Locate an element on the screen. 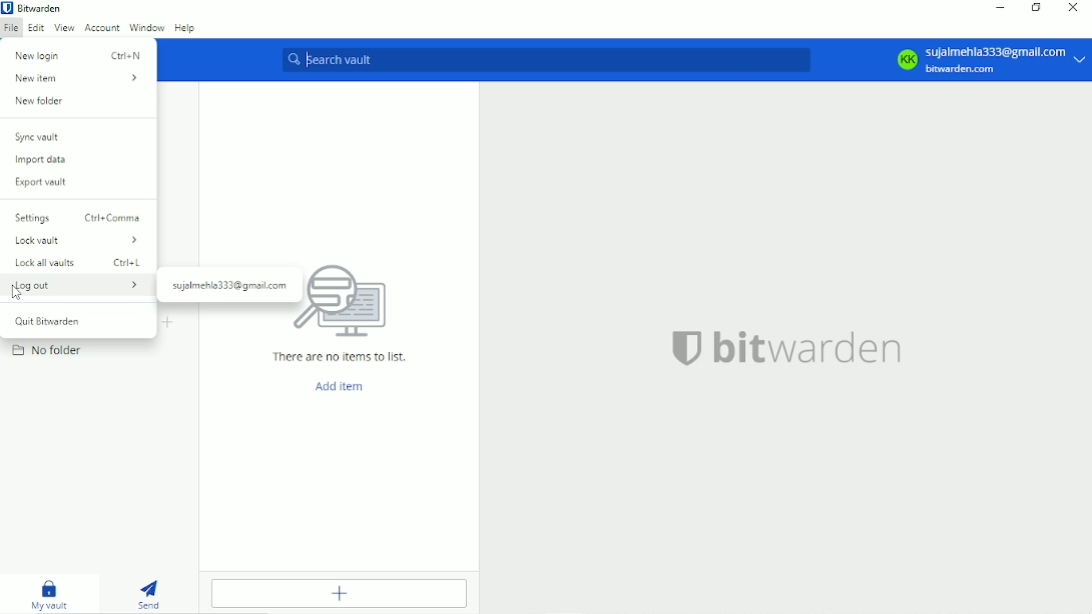  Help is located at coordinates (185, 28).